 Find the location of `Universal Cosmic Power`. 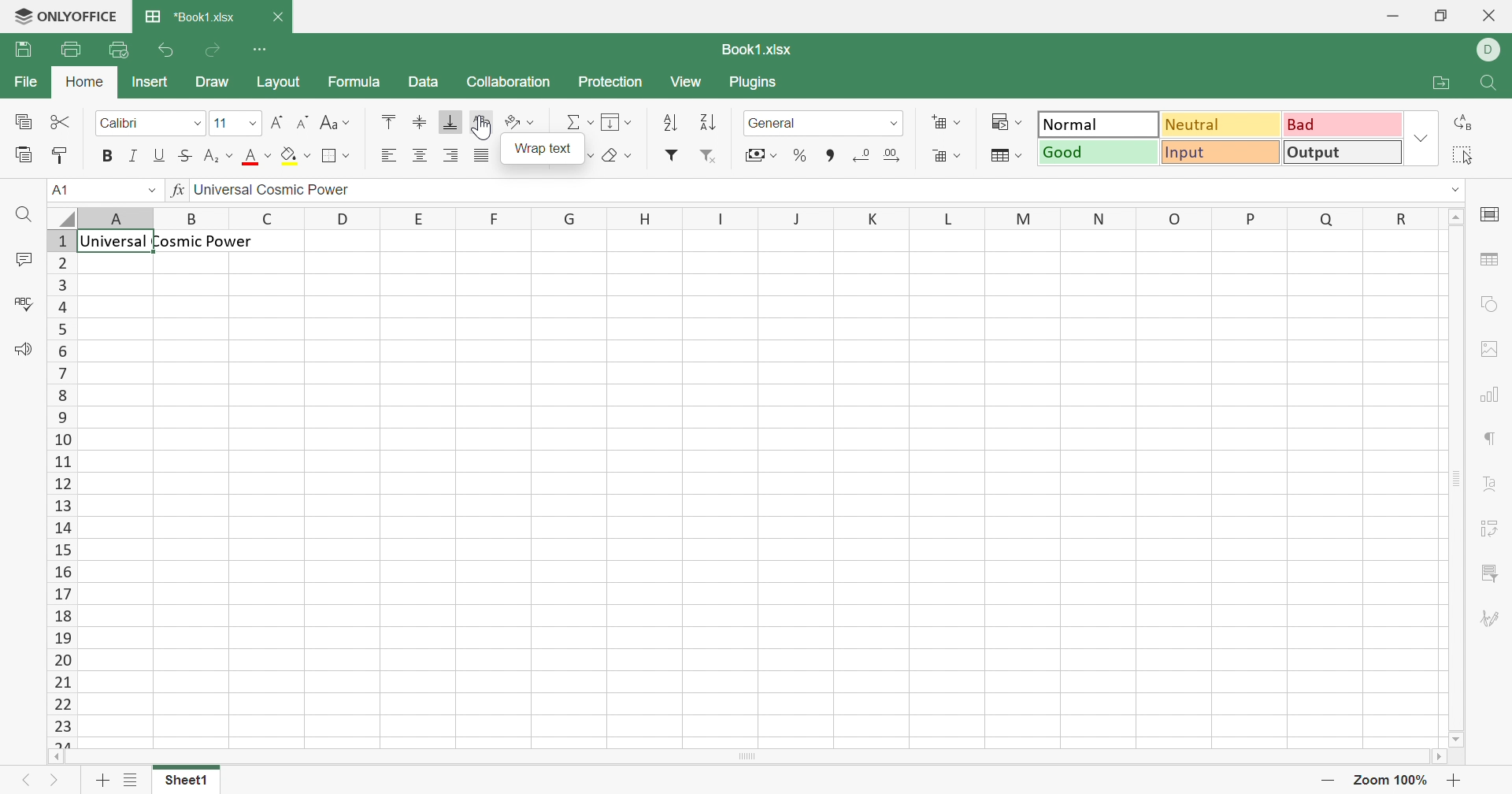

Universal Cosmic Power is located at coordinates (280, 191).